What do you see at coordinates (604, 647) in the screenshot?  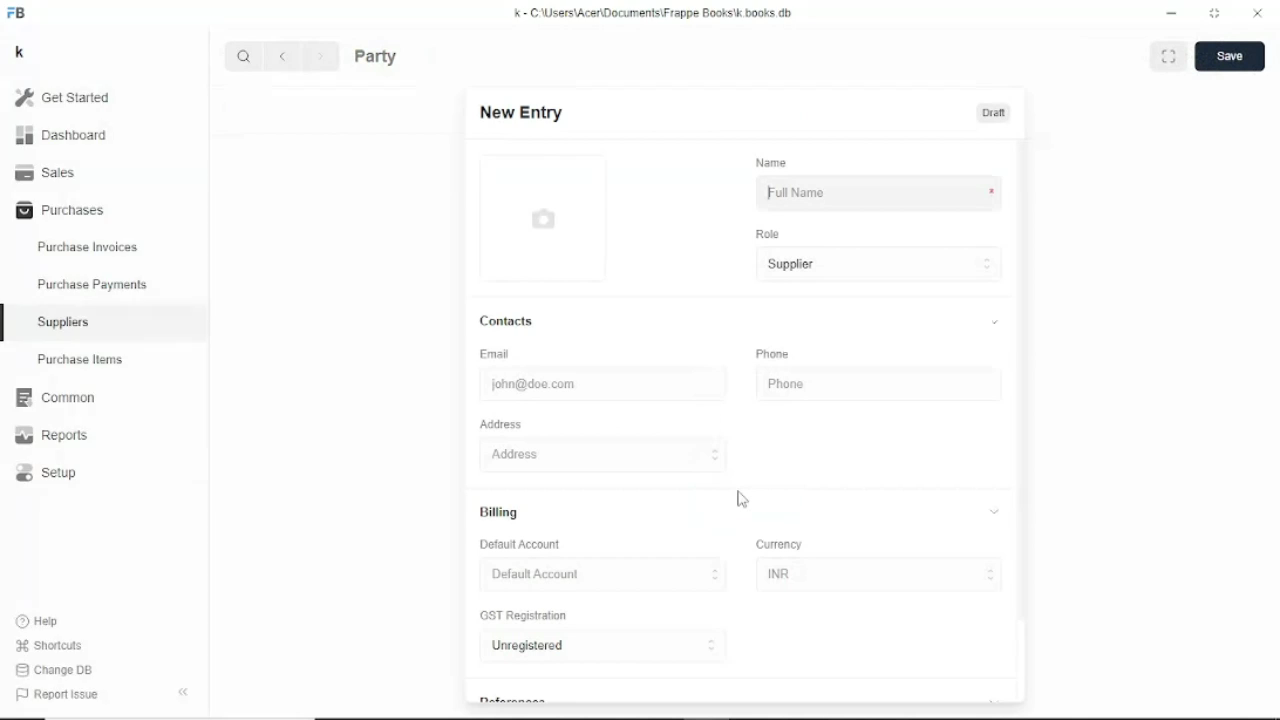 I see `Unregistered` at bounding box center [604, 647].